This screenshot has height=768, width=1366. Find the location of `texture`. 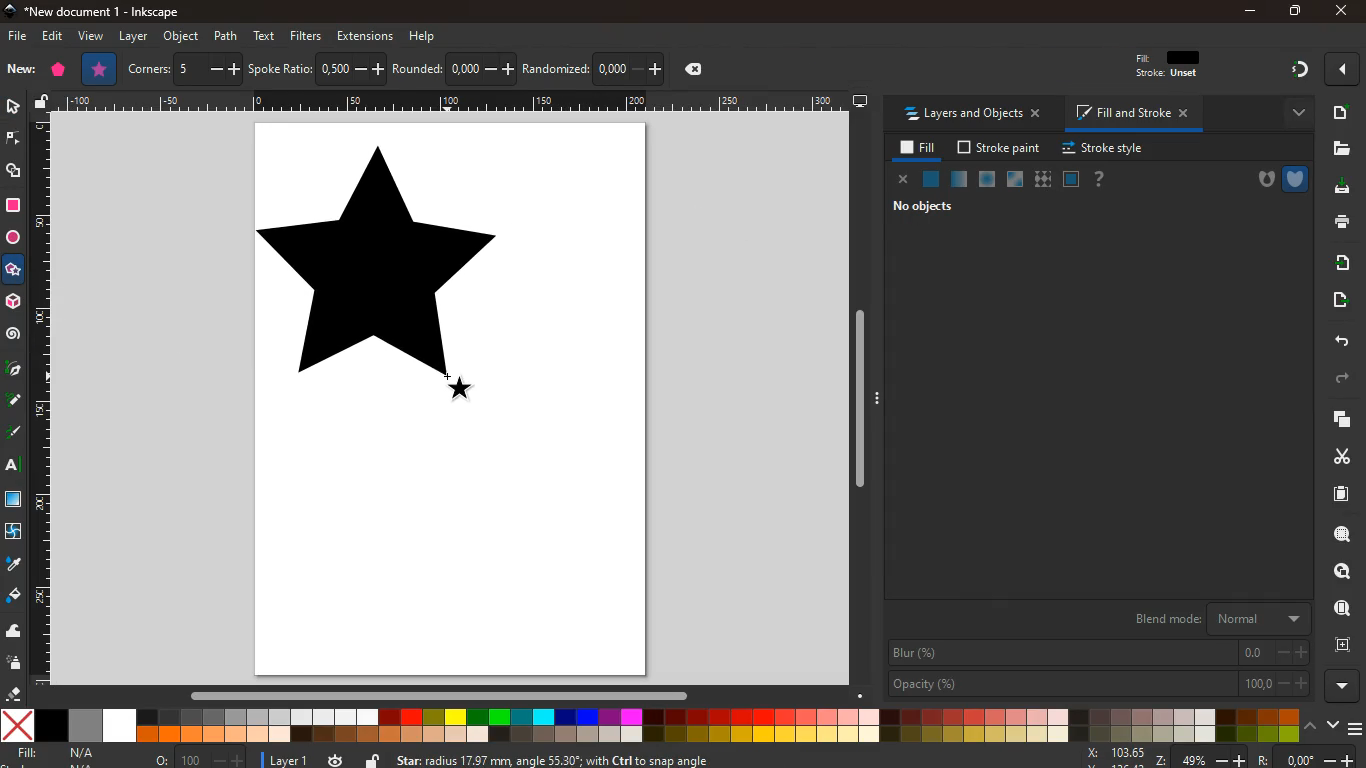

texture is located at coordinates (1043, 177).